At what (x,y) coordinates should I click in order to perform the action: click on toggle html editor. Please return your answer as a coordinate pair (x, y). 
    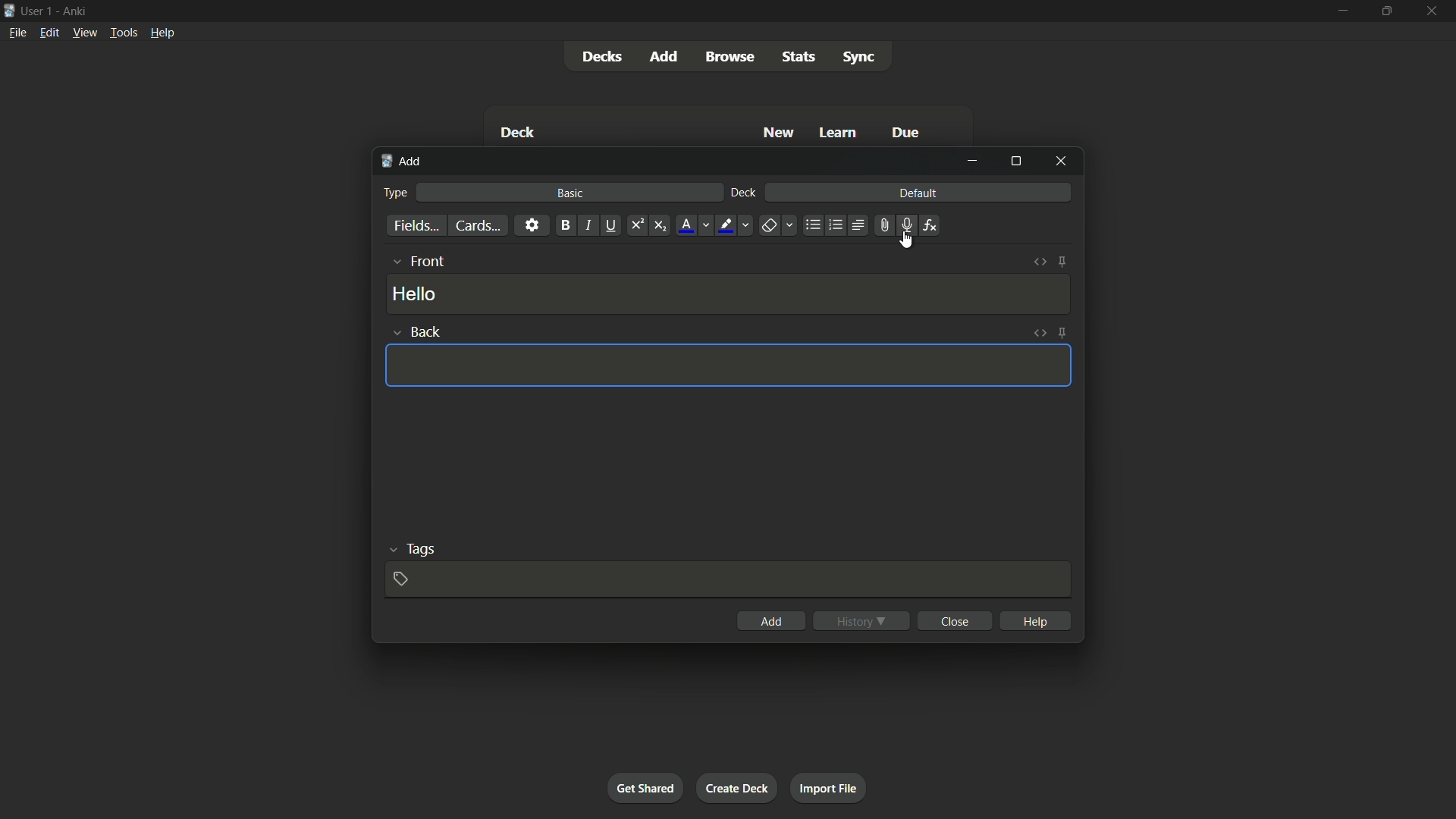
    Looking at the image, I should click on (1040, 262).